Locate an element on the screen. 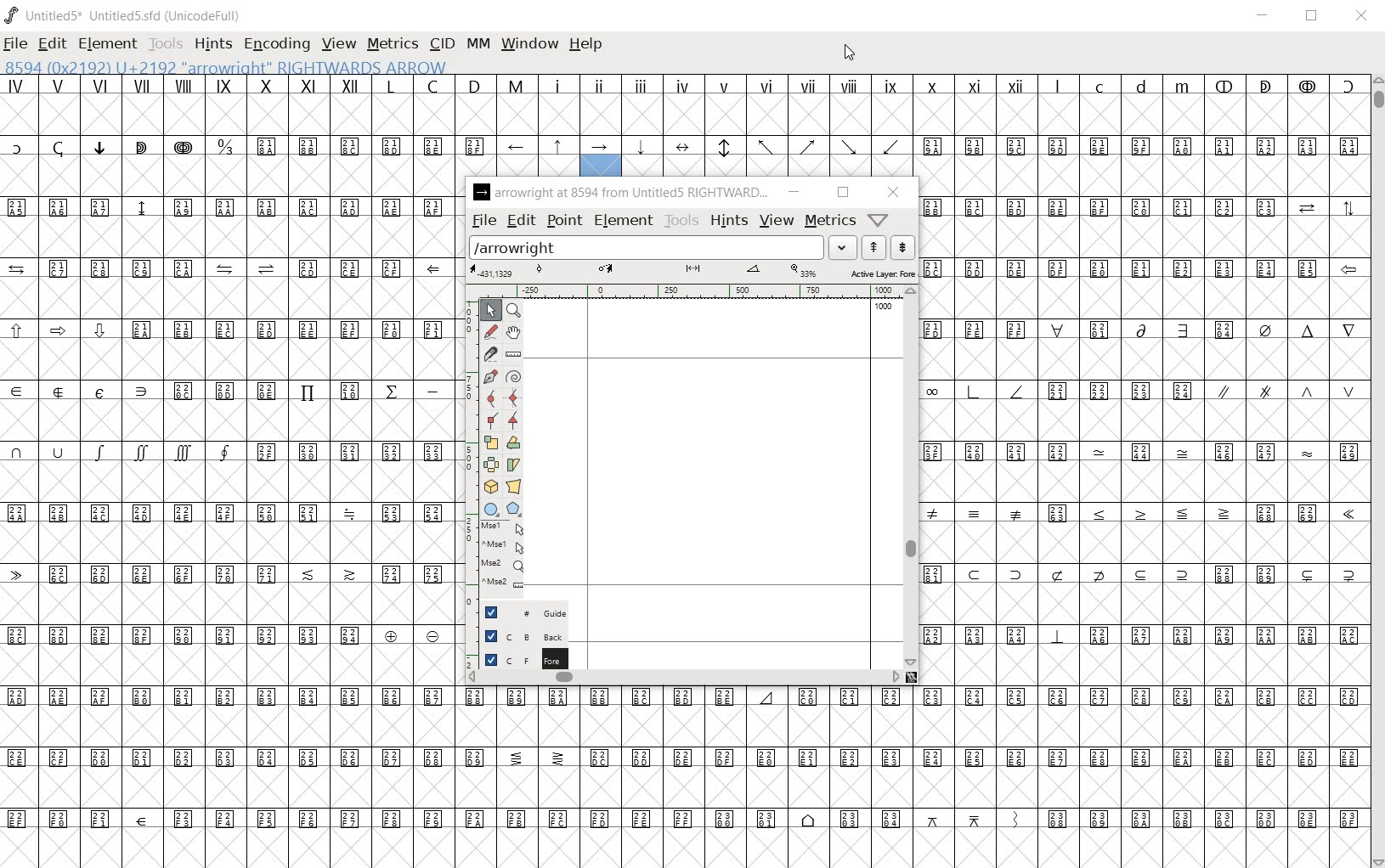  MINIMIZE is located at coordinates (1264, 15).